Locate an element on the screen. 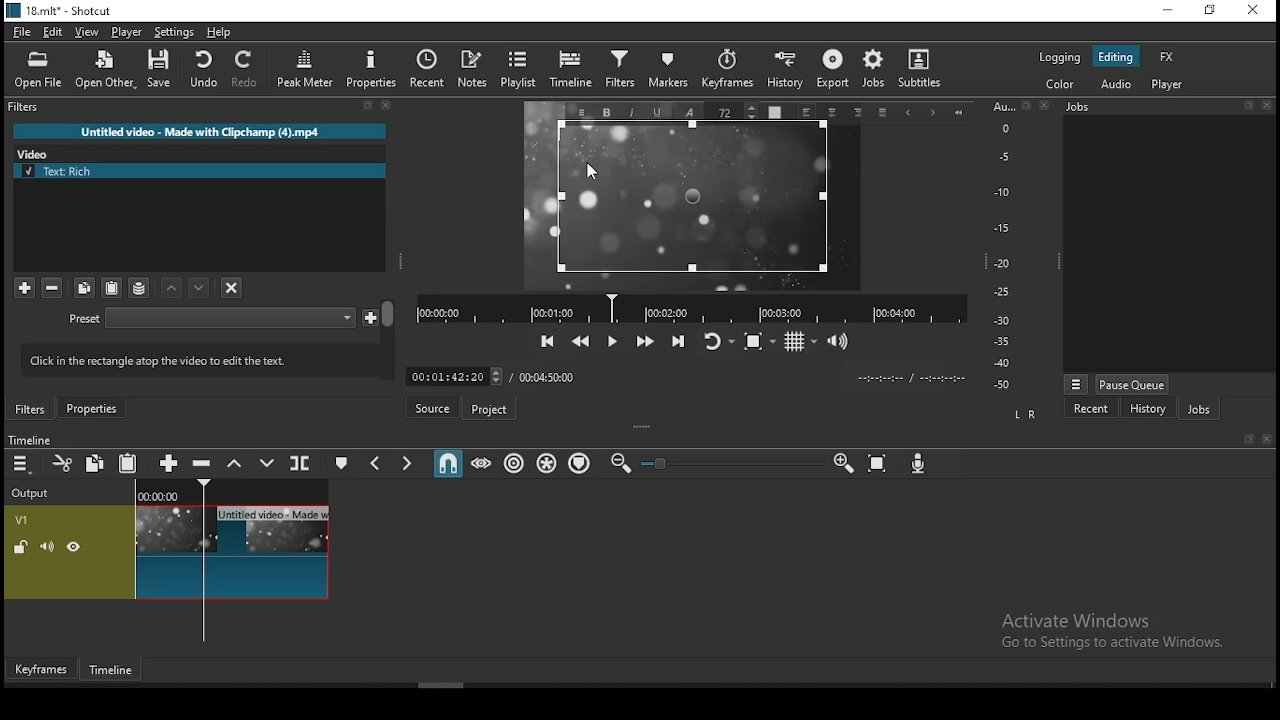 The width and height of the screenshot is (1280, 720). peak meter is located at coordinates (305, 68).